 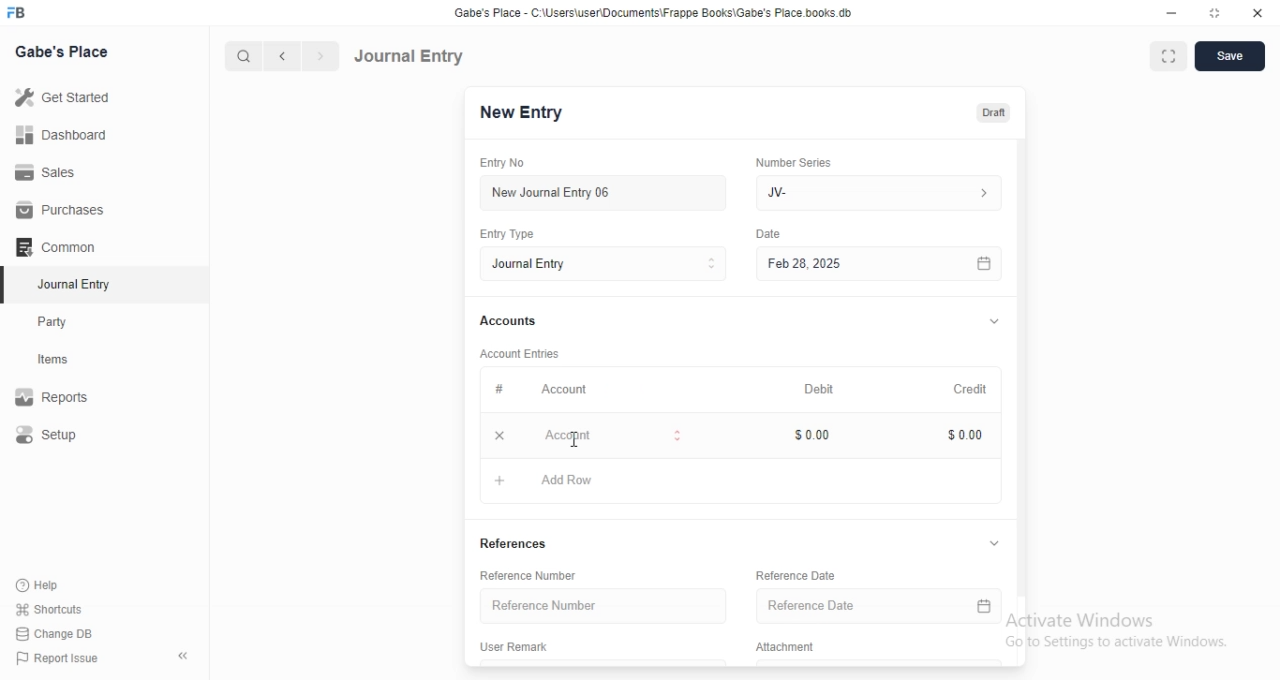 I want to click on hide, so click(x=179, y=657).